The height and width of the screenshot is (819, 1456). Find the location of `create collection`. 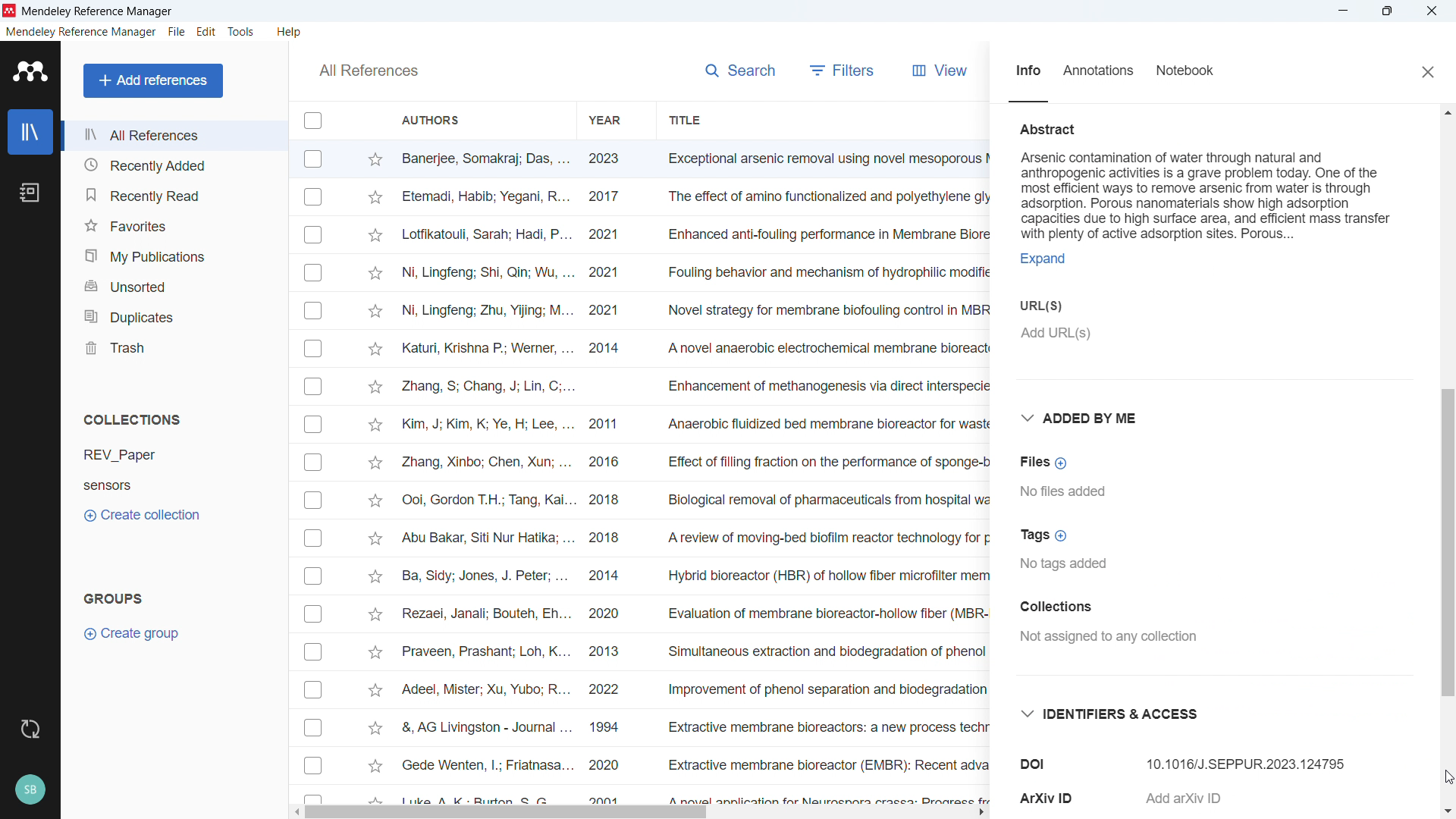

create collection is located at coordinates (144, 514).